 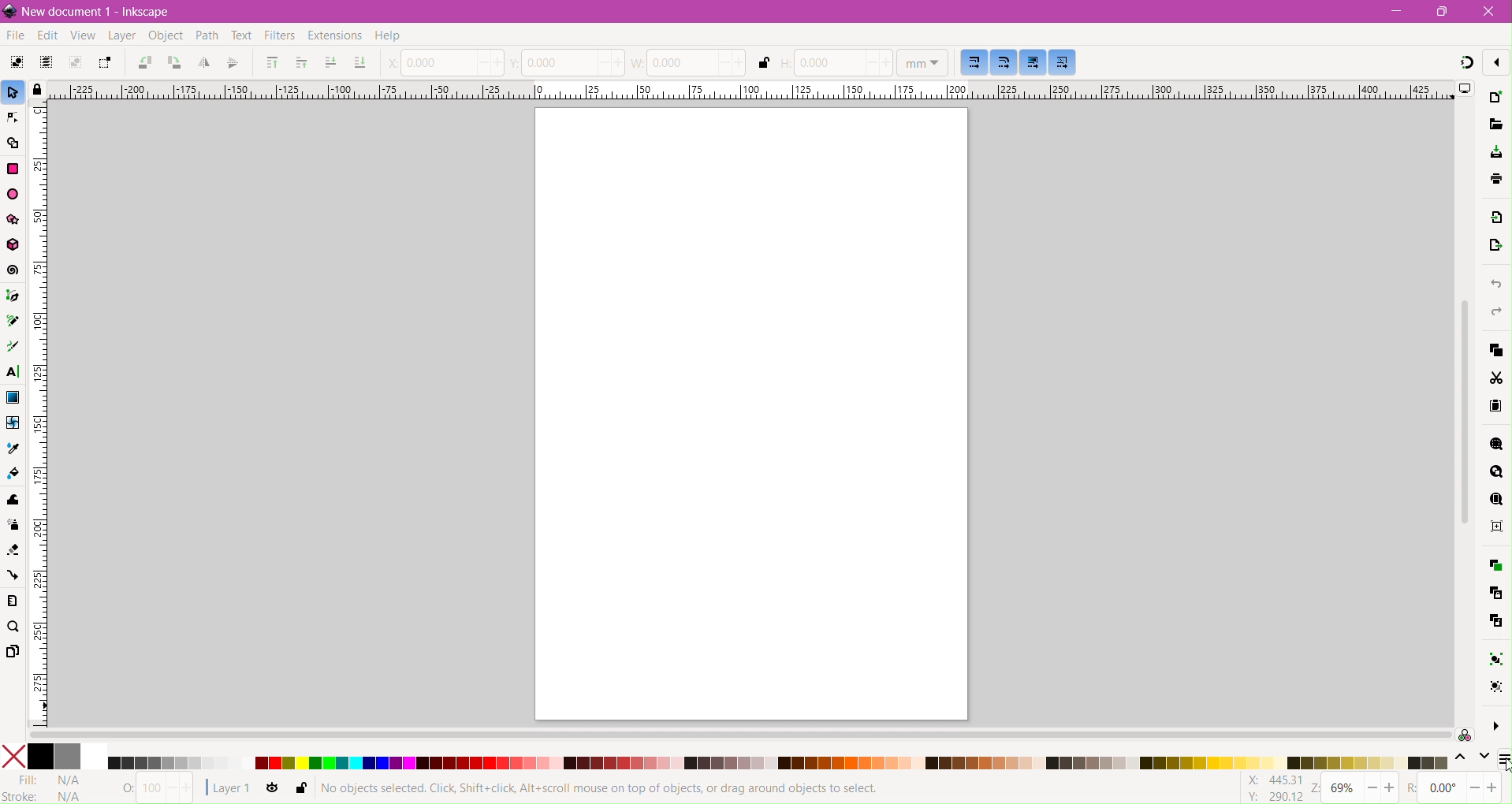 I want to click on Eraser Tool, so click(x=13, y=548).